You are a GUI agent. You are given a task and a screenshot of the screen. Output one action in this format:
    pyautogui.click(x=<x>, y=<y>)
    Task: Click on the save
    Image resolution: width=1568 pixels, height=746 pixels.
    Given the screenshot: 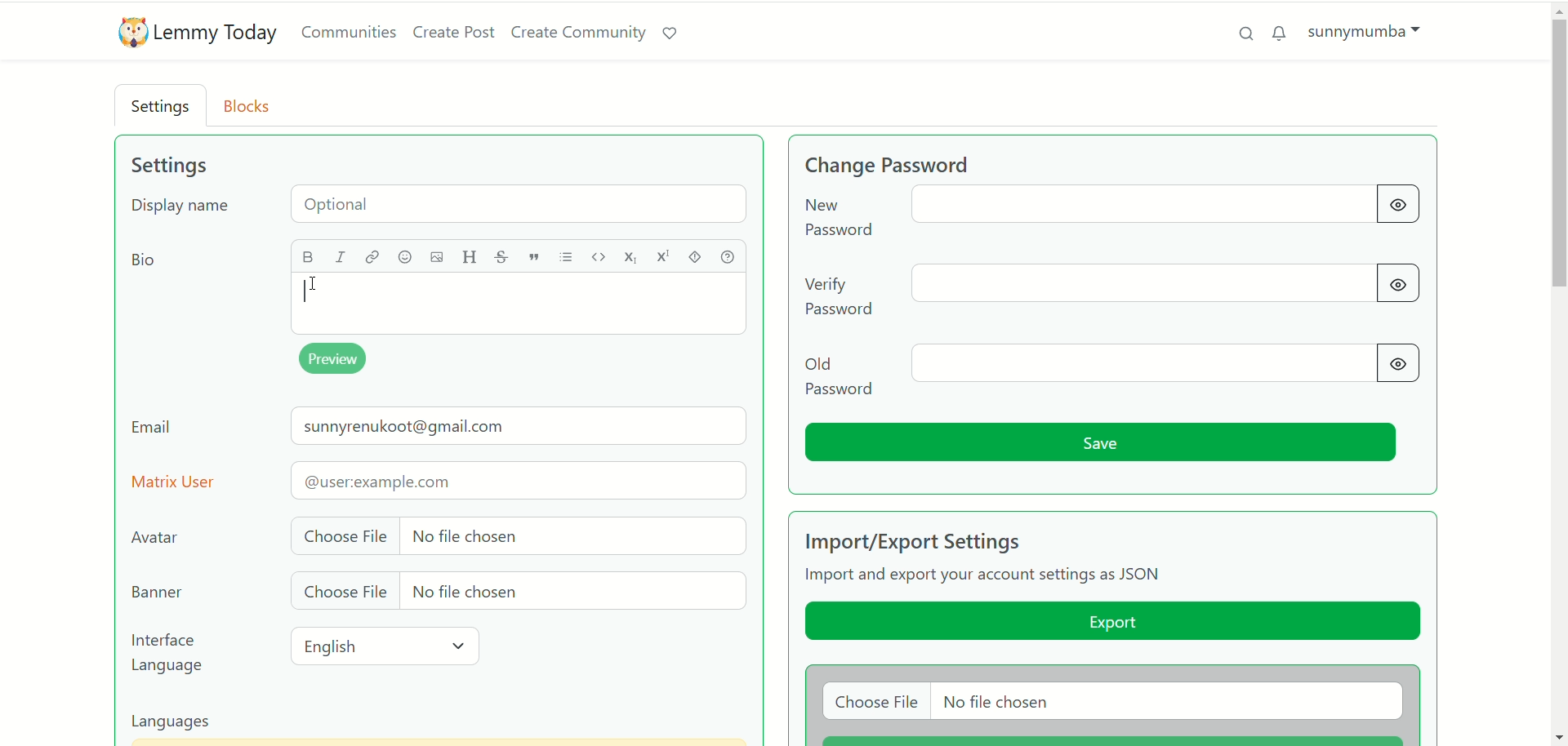 What is the action you would take?
    pyautogui.click(x=1103, y=443)
    